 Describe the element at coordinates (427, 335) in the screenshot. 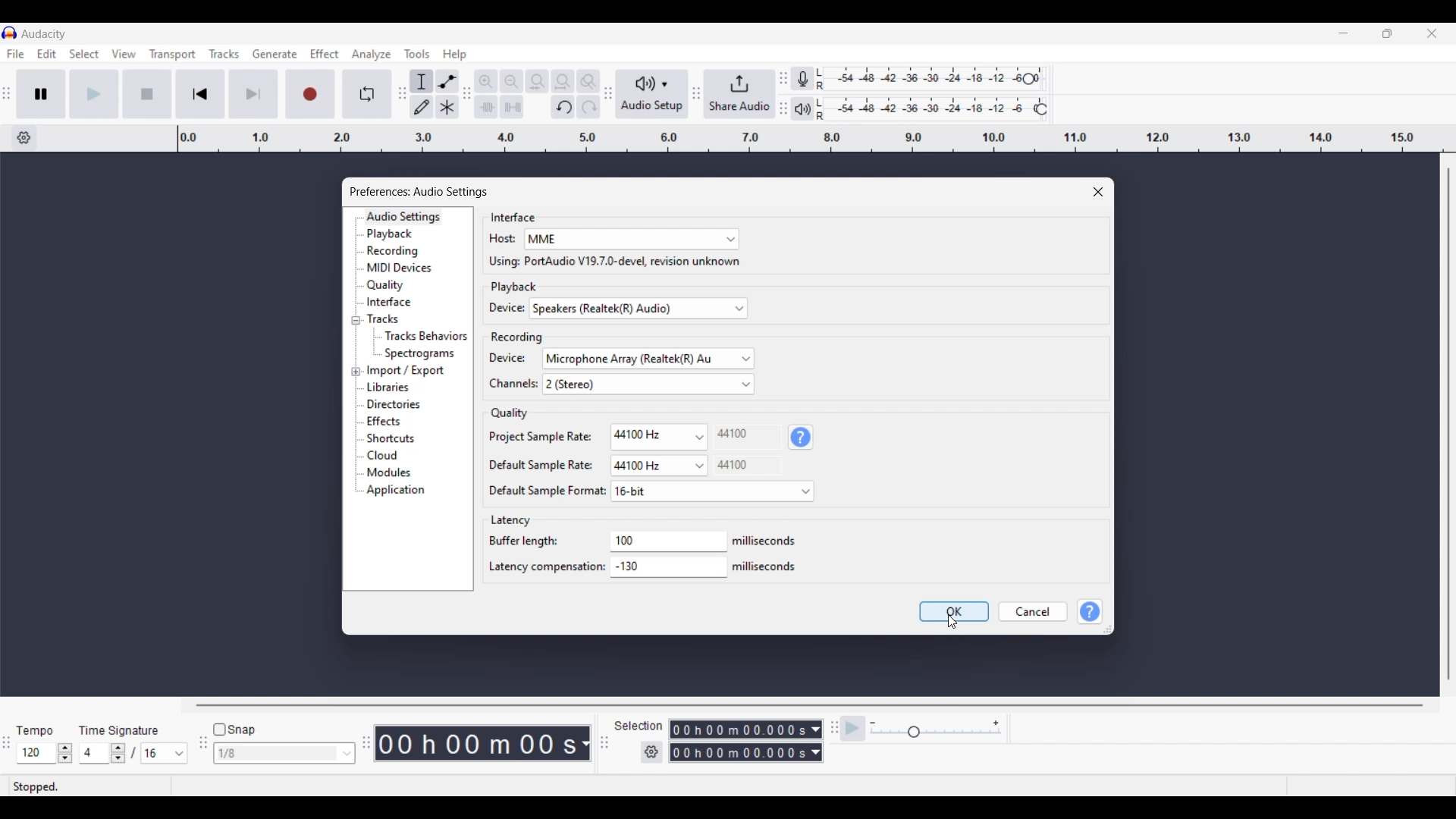

I see `Track behaviours` at that location.